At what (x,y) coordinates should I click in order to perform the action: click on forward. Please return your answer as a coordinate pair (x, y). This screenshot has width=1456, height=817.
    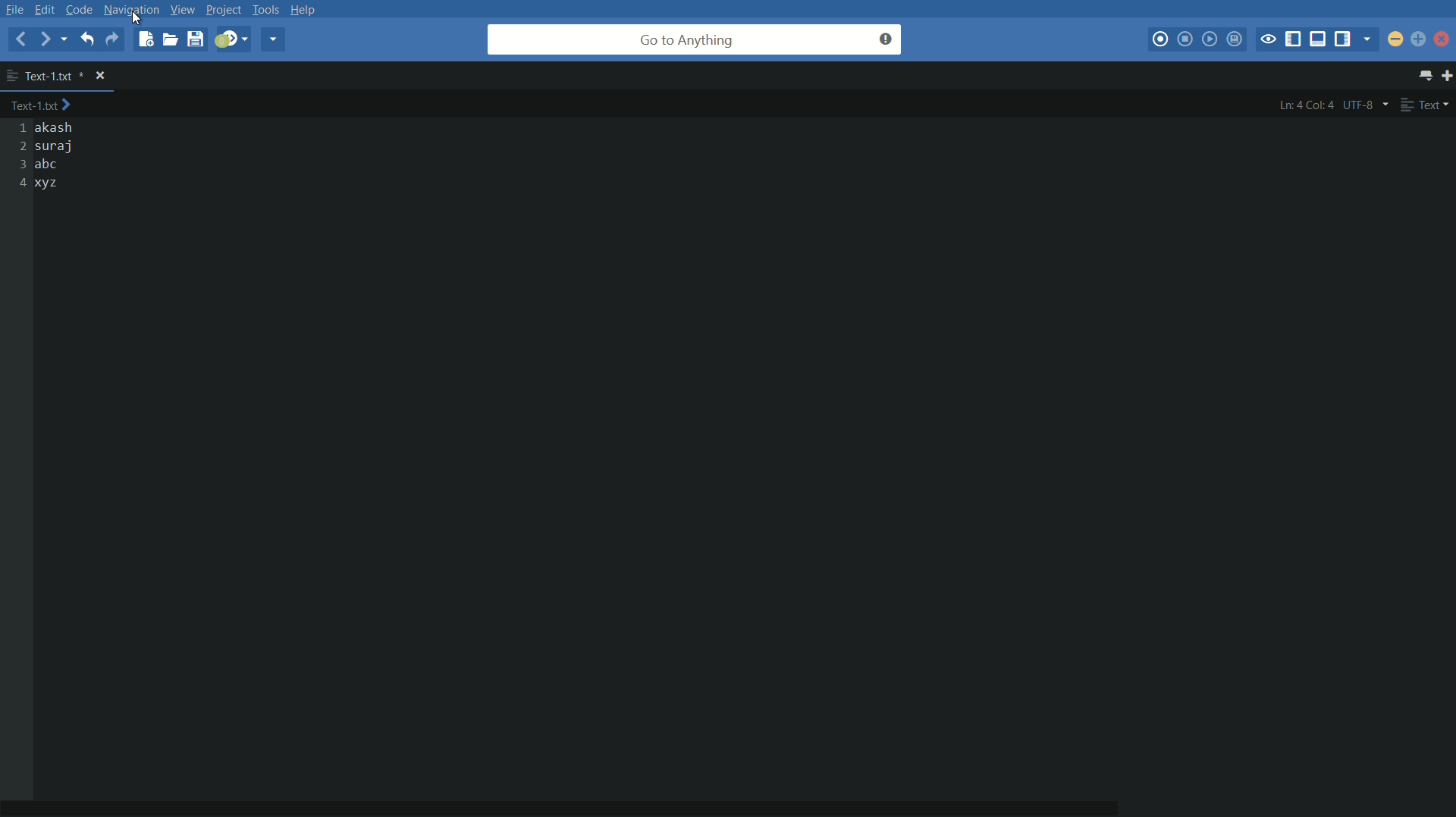
    Looking at the image, I should click on (46, 40).